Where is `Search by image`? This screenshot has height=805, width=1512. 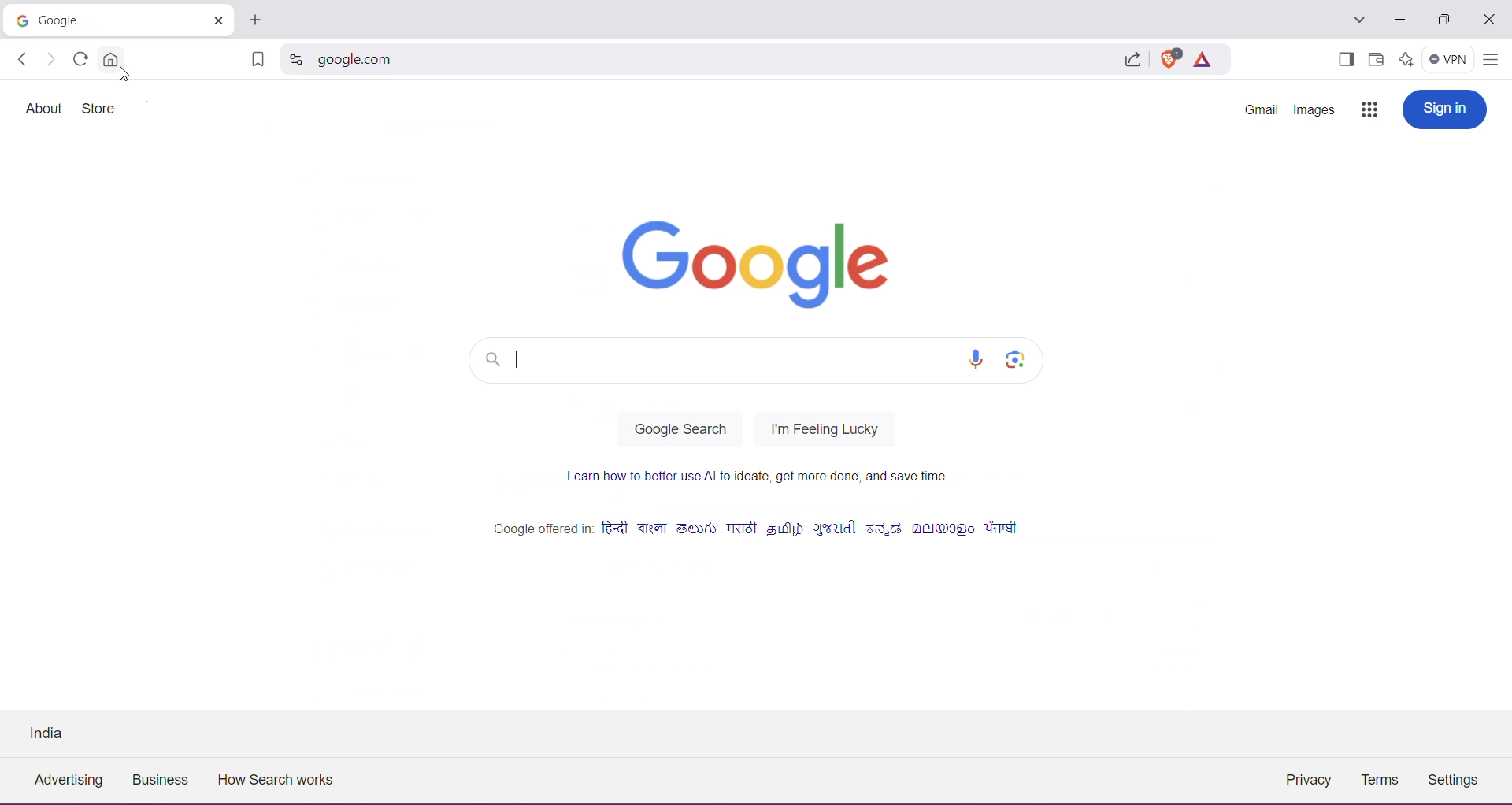
Search by image is located at coordinates (1015, 359).